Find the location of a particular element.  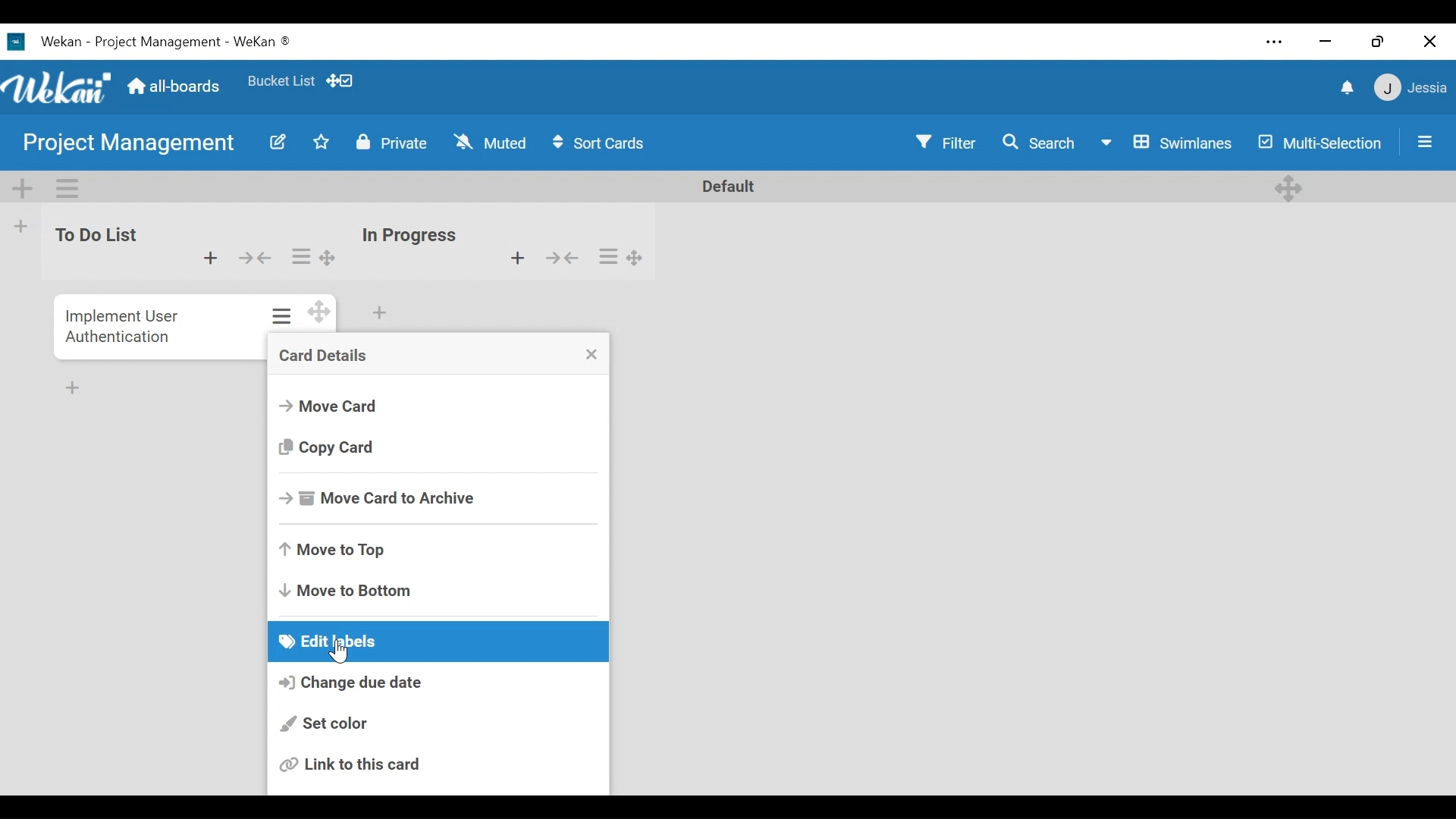

add list is located at coordinates (21, 229).